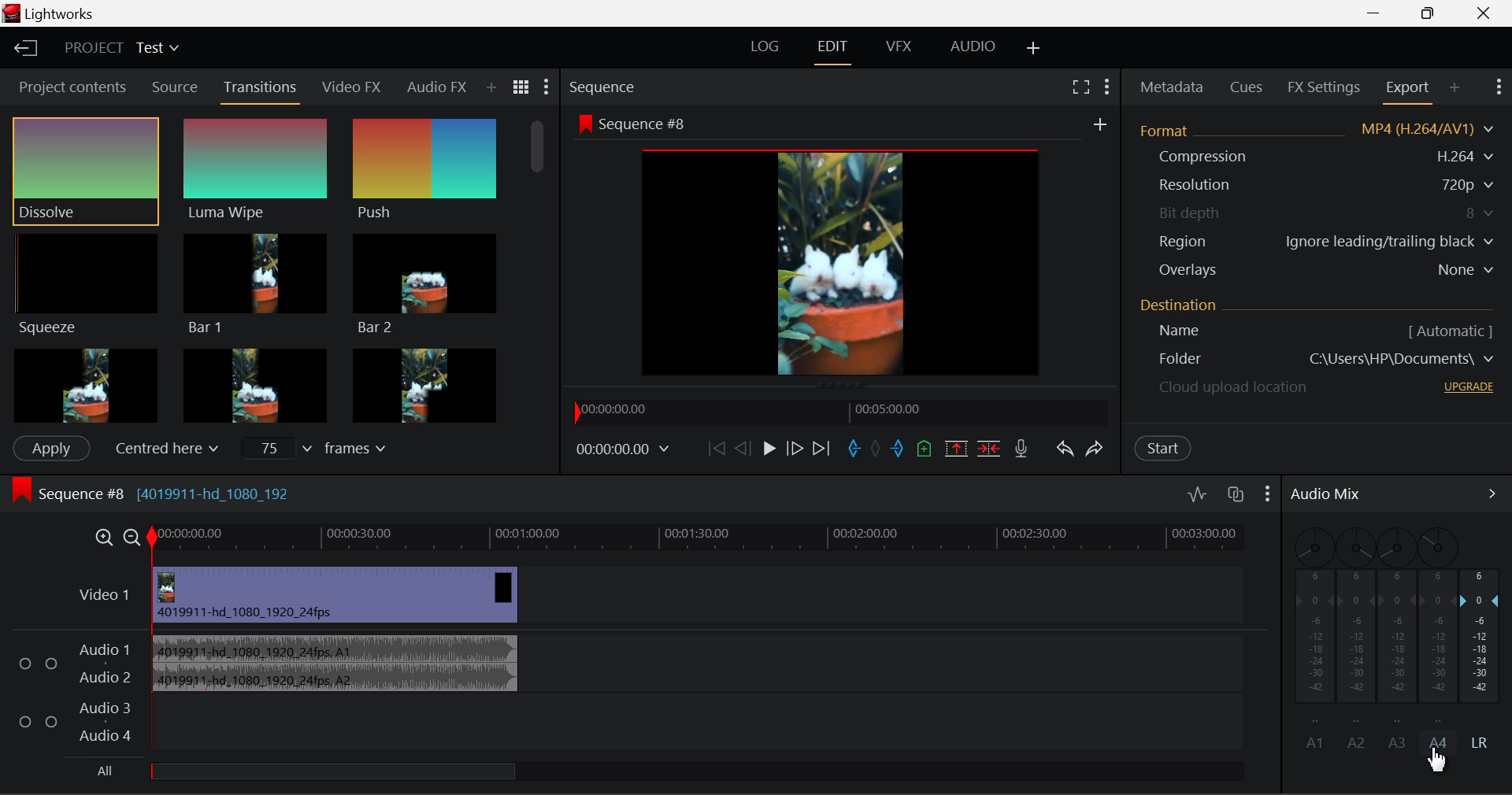 This screenshot has width=1512, height=795. What do you see at coordinates (1499, 87) in the screenshot?
I see `Show Settings` at bounding box center [1499, 87].